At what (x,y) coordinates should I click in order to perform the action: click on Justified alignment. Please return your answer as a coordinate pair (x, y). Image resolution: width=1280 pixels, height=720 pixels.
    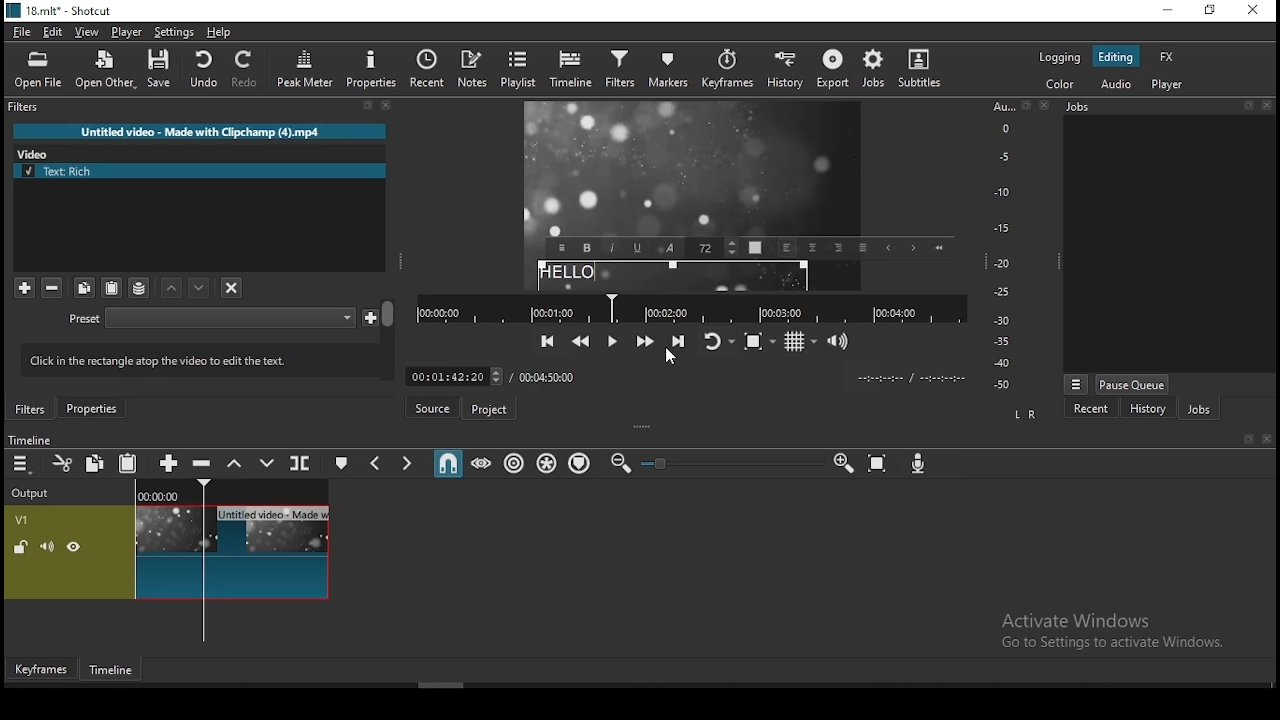
    Looking at the image, I should click on (862, 247).